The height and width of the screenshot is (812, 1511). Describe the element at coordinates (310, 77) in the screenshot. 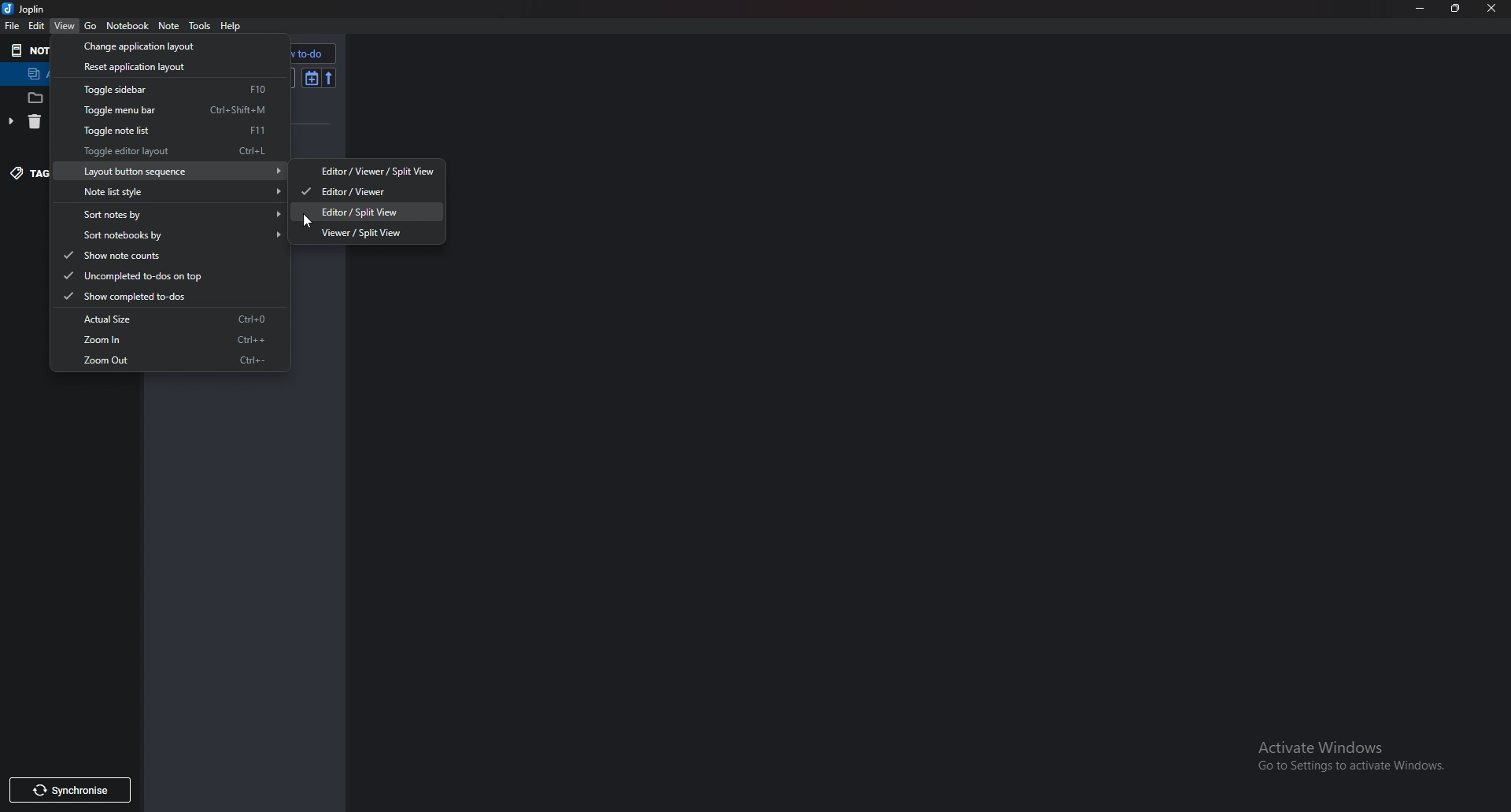

I see `Toggle sort order` at that location.